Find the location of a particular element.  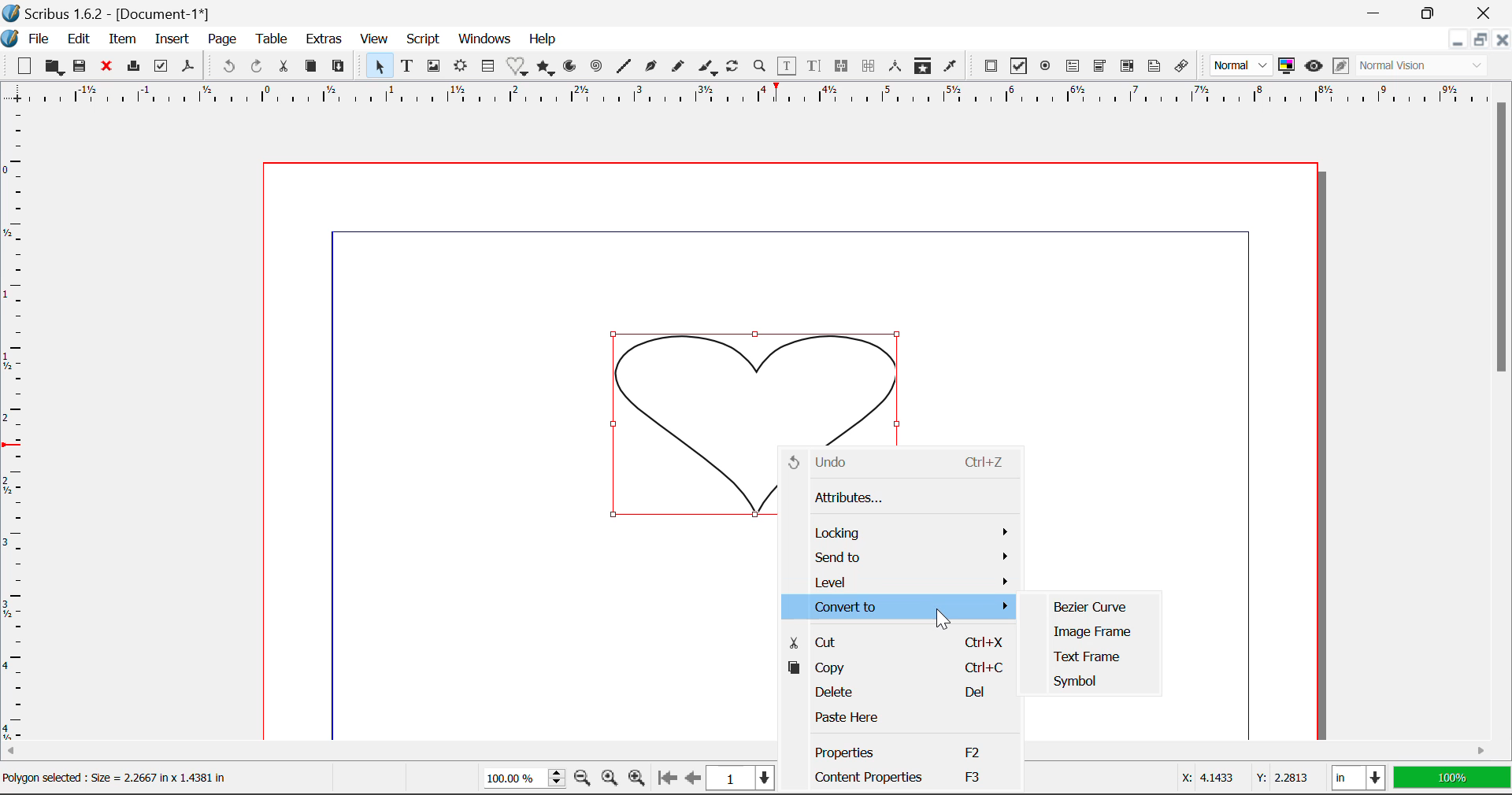

Undo is located at coordinates (899, 463).